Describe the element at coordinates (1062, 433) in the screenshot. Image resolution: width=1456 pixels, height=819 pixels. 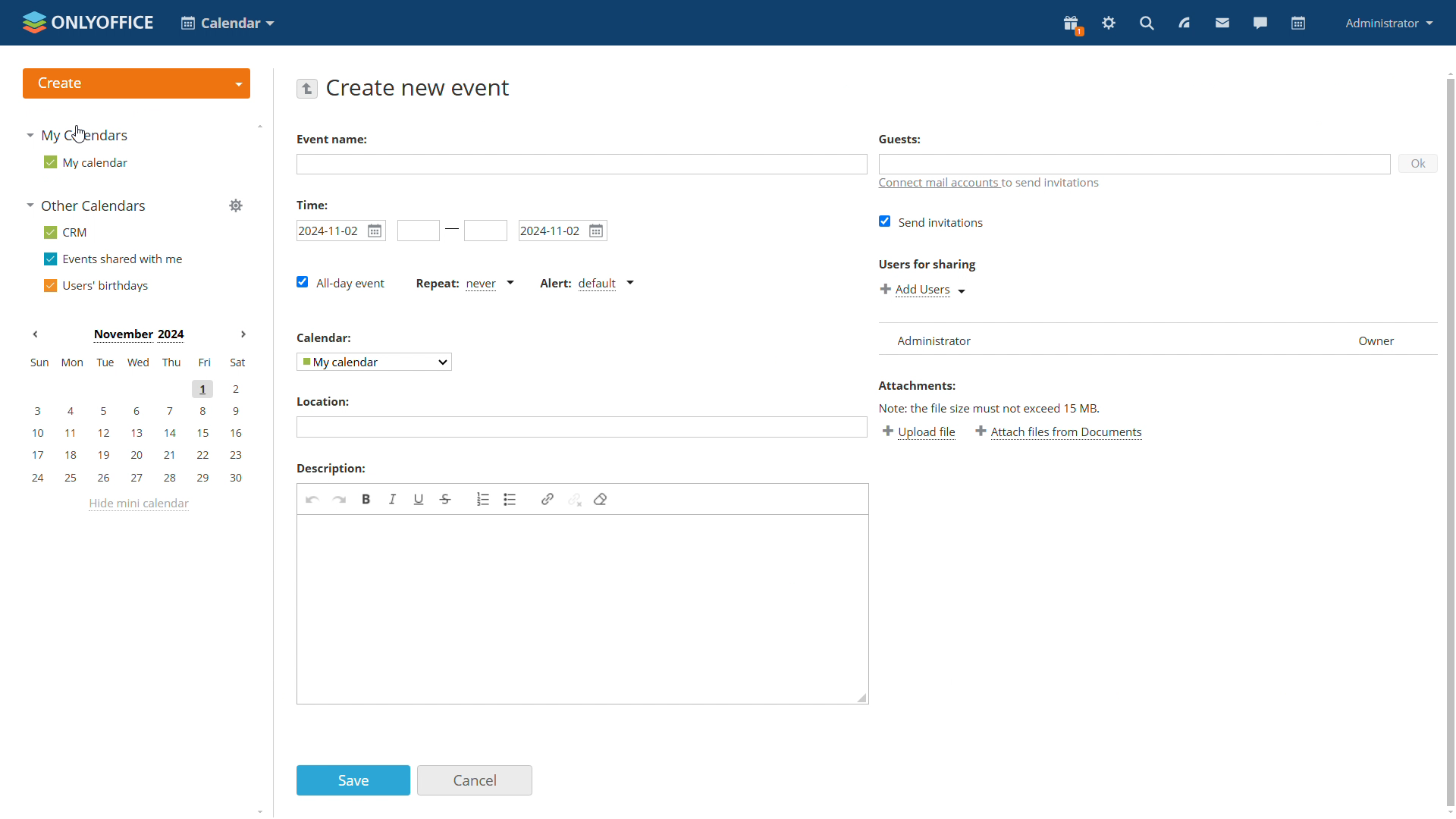
I see `attach files from documents` at that location.